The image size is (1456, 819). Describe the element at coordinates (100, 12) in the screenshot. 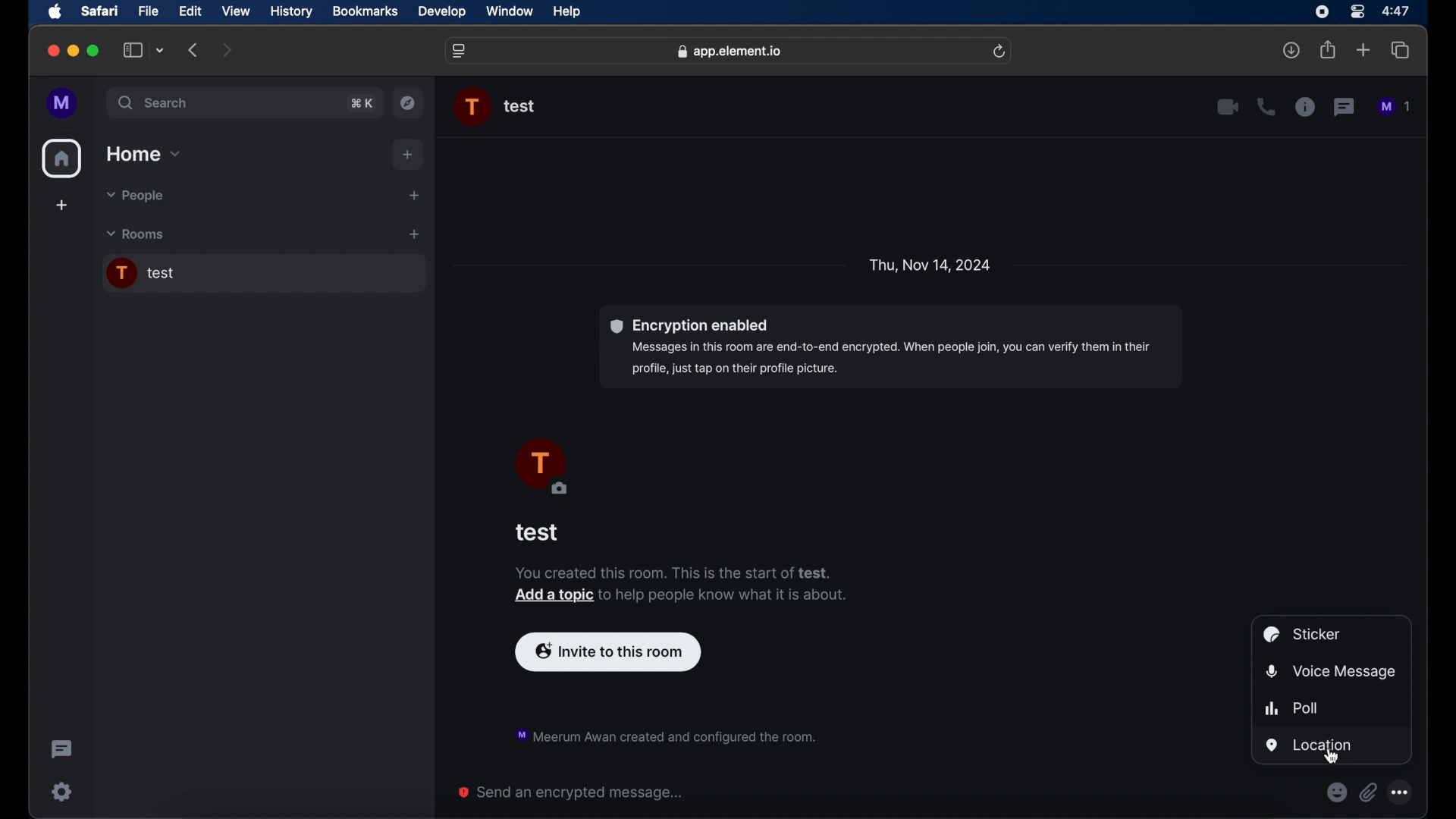

I see `safari` at that location.